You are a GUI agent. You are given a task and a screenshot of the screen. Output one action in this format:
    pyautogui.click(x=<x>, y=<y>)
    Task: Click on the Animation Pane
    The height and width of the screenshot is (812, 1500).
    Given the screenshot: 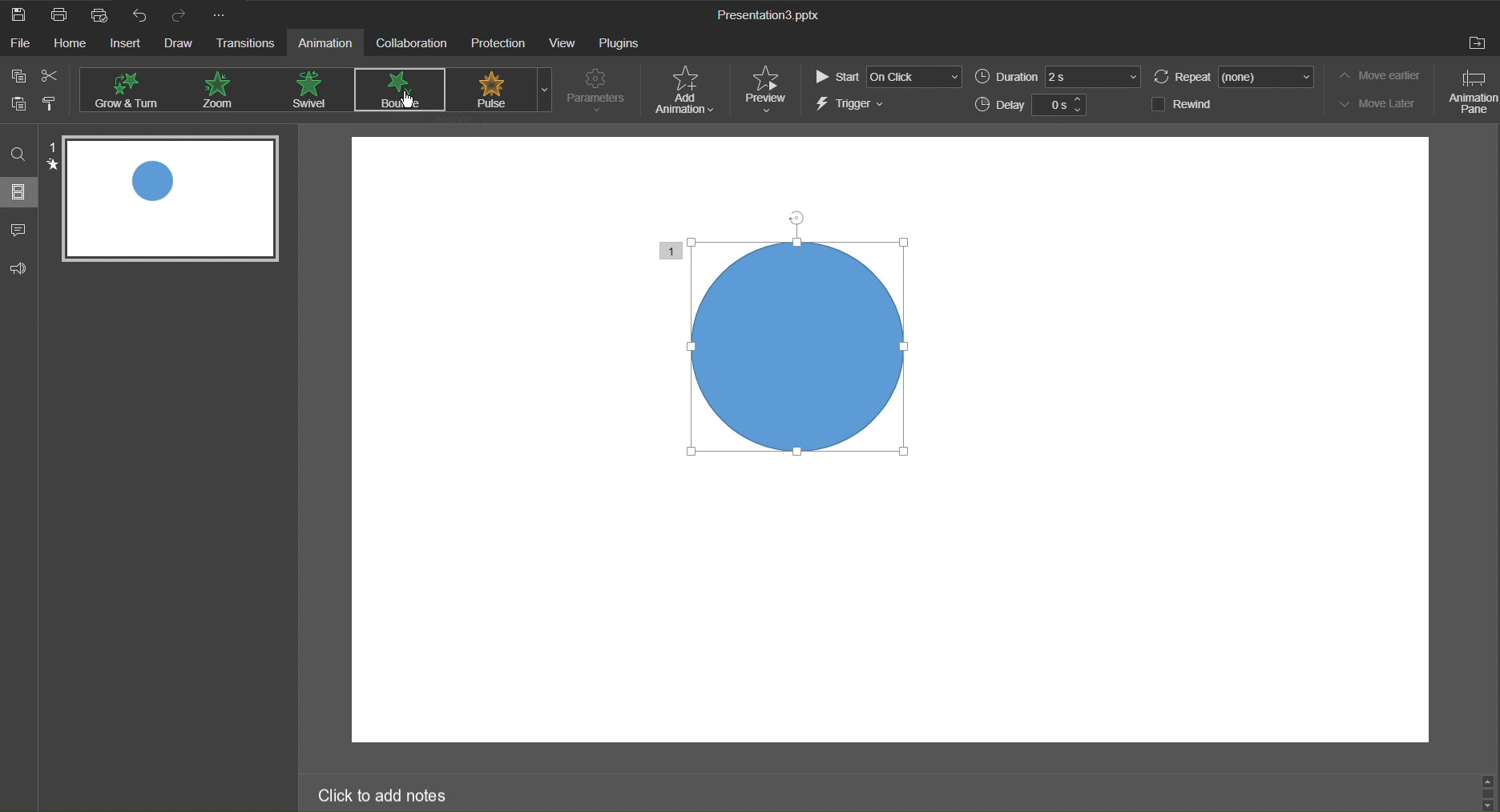 What is the action you would take?
    pyautogui.click(x=1470, y=92)
    